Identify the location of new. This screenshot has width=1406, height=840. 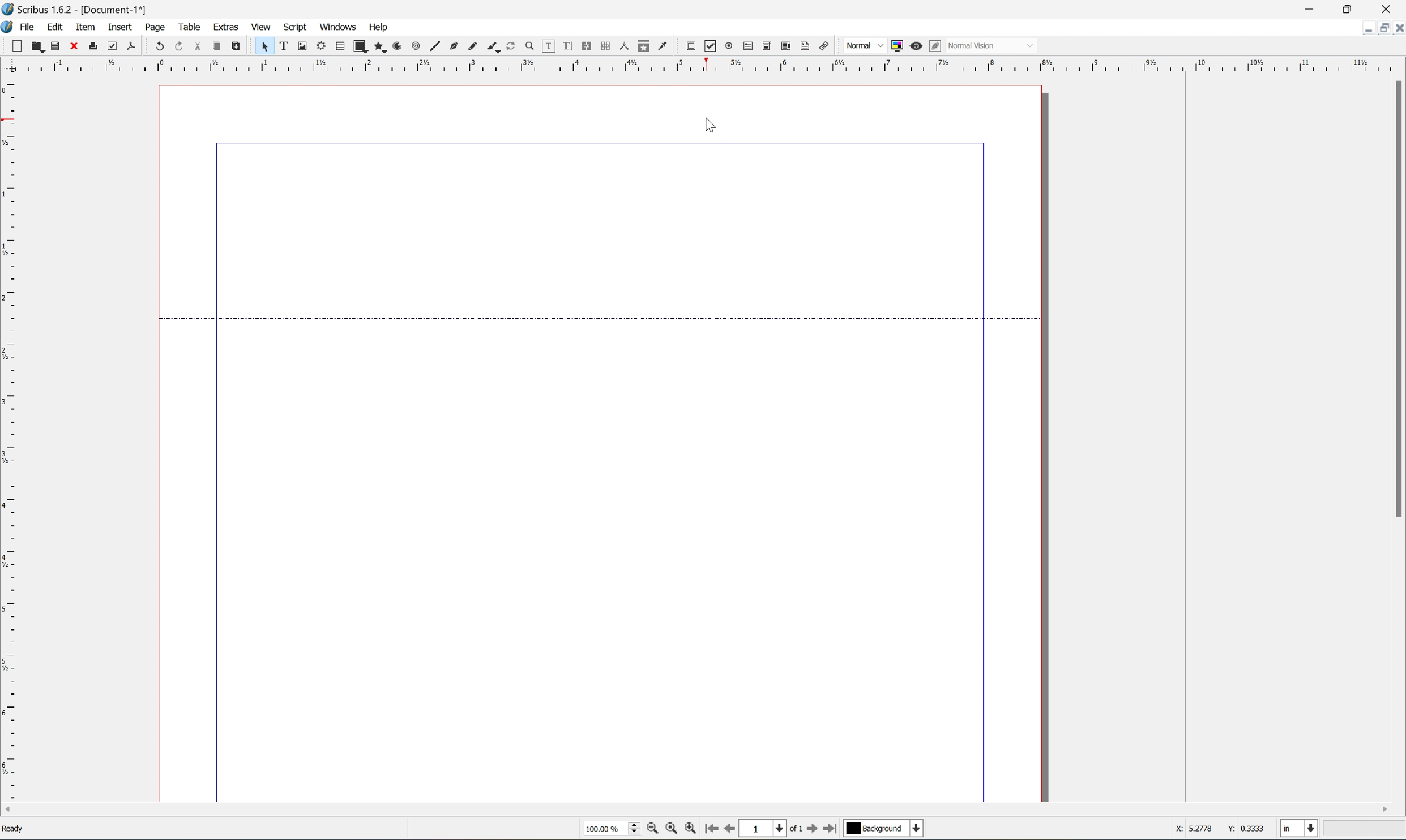
(16, 47).